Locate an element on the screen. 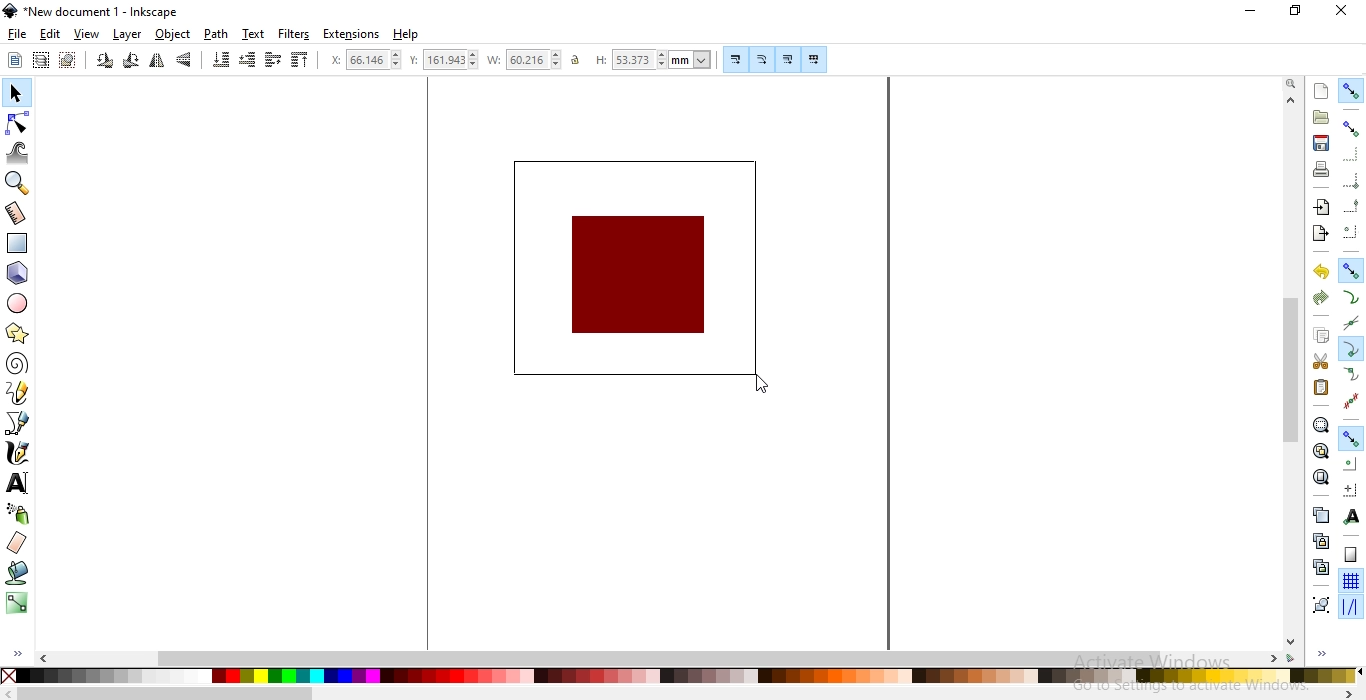  zoom in or out is located at coordinates (20, 182).